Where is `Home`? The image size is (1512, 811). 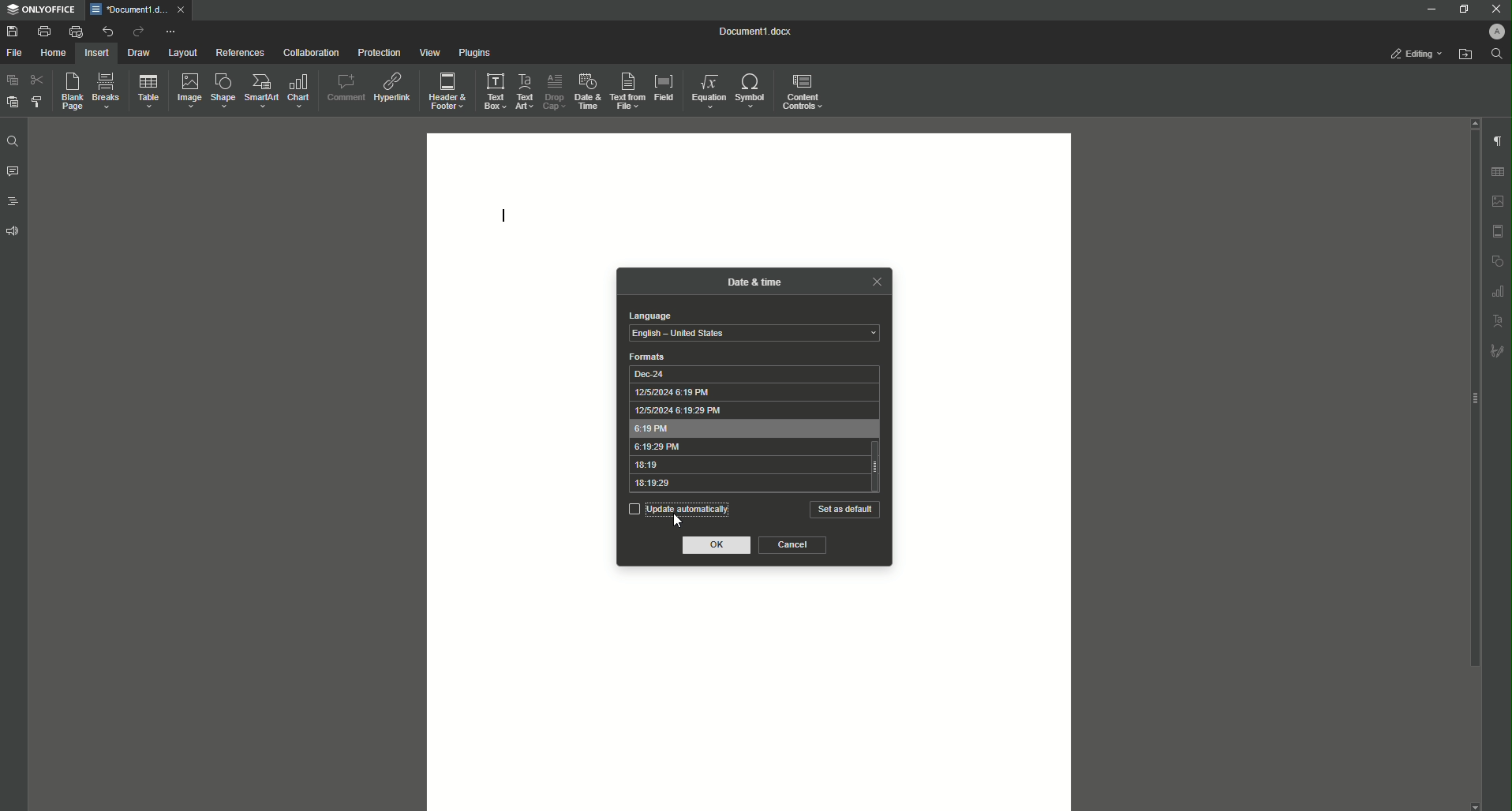 Home is located at coordinates (54, 53).